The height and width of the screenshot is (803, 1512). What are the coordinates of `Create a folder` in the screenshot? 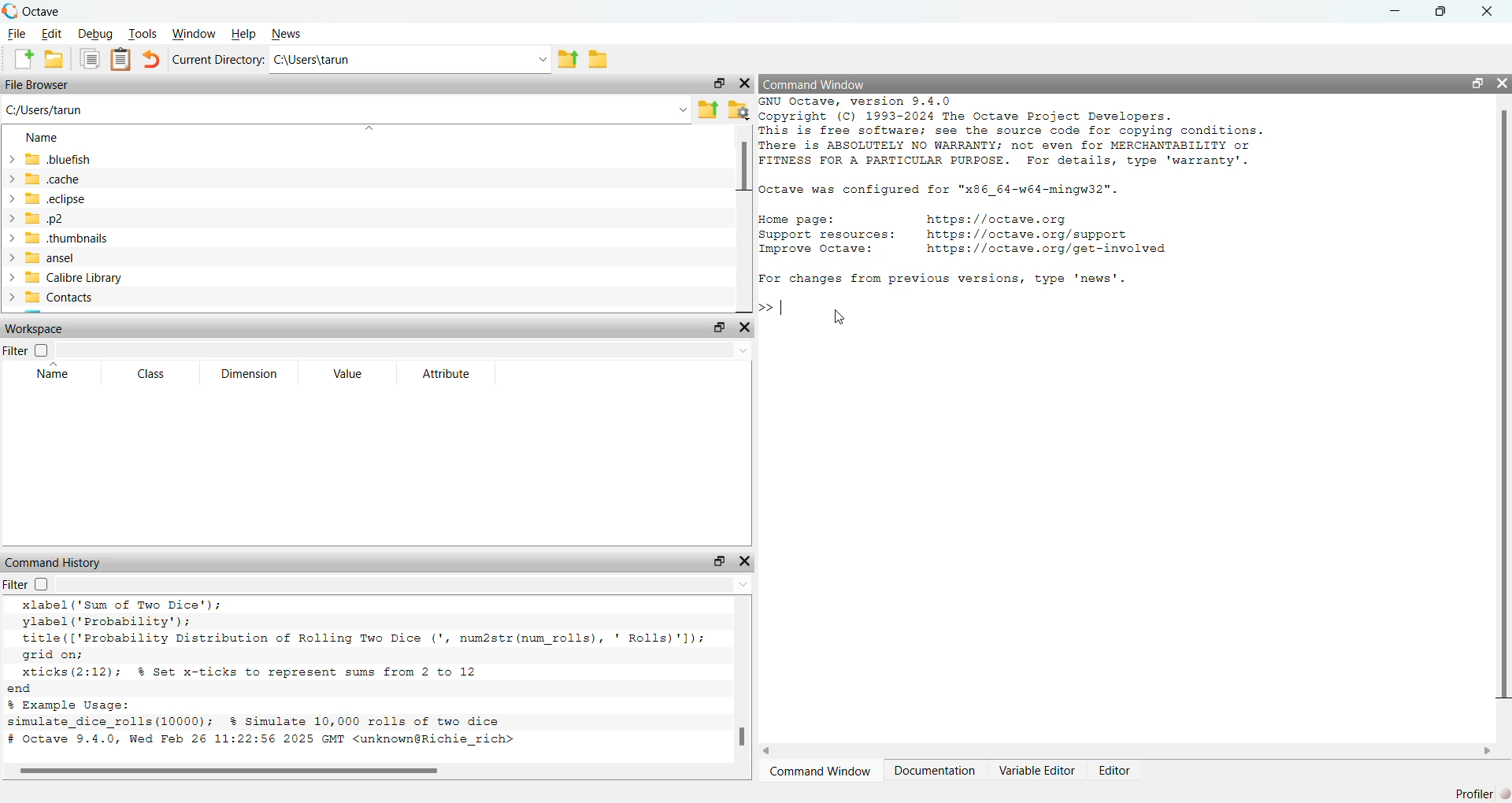 It's located at (601, 60).